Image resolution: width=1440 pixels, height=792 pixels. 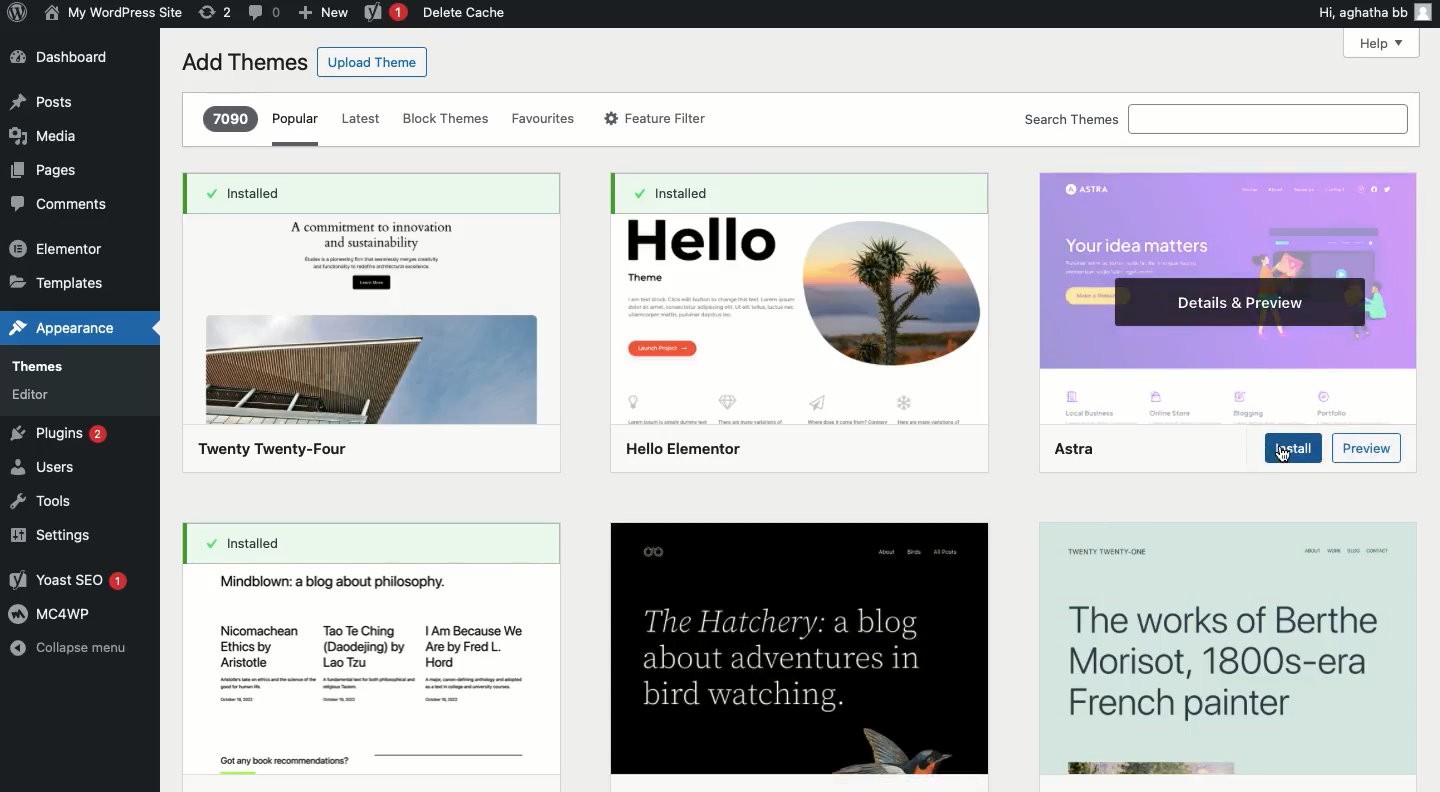 What do you see at coordinates (60, 208) in the screenshot?
I see `Comment` at bounding box center [60, 208].